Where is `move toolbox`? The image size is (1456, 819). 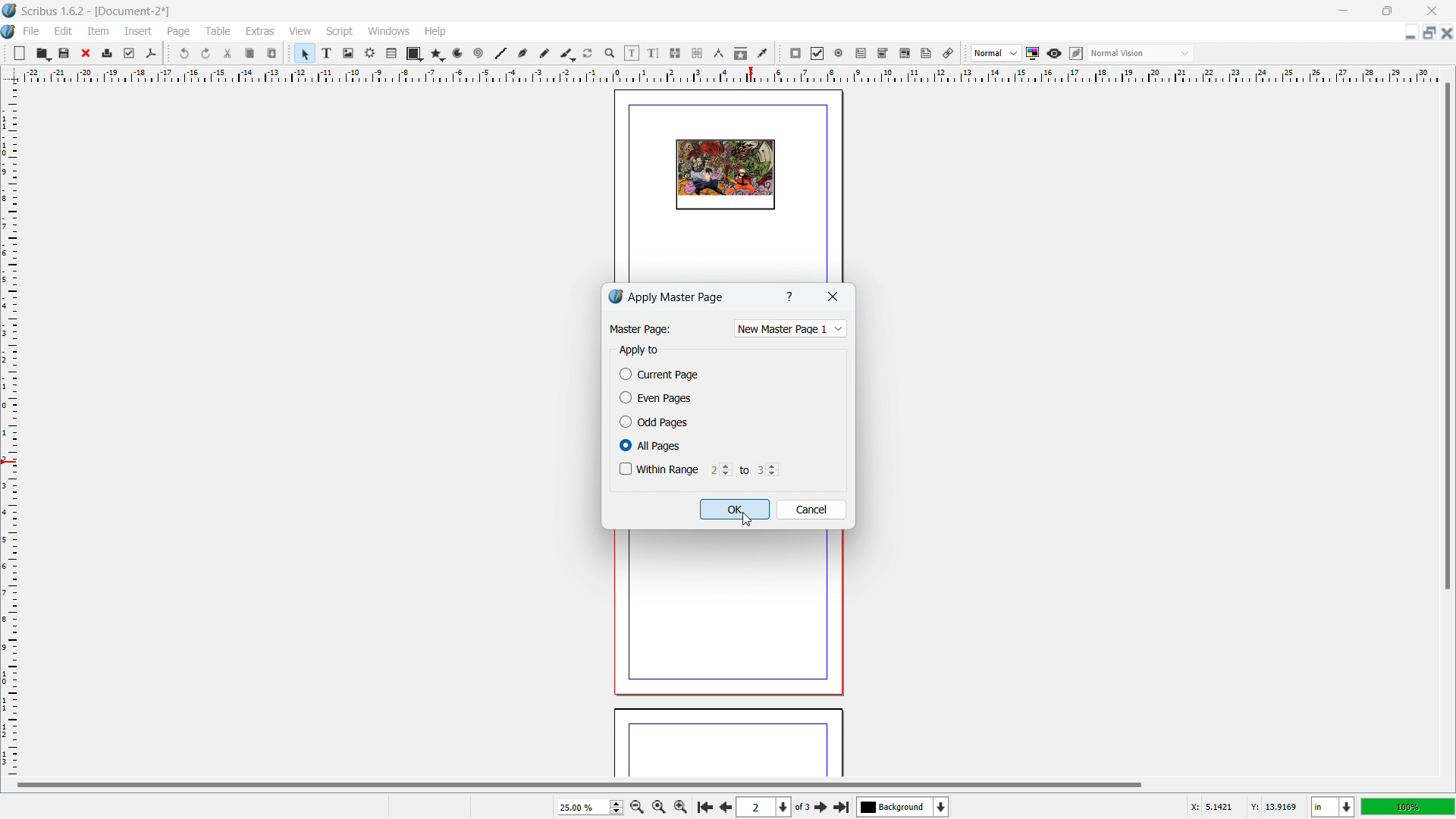
move toolbox is located at coordinates (965, 54).